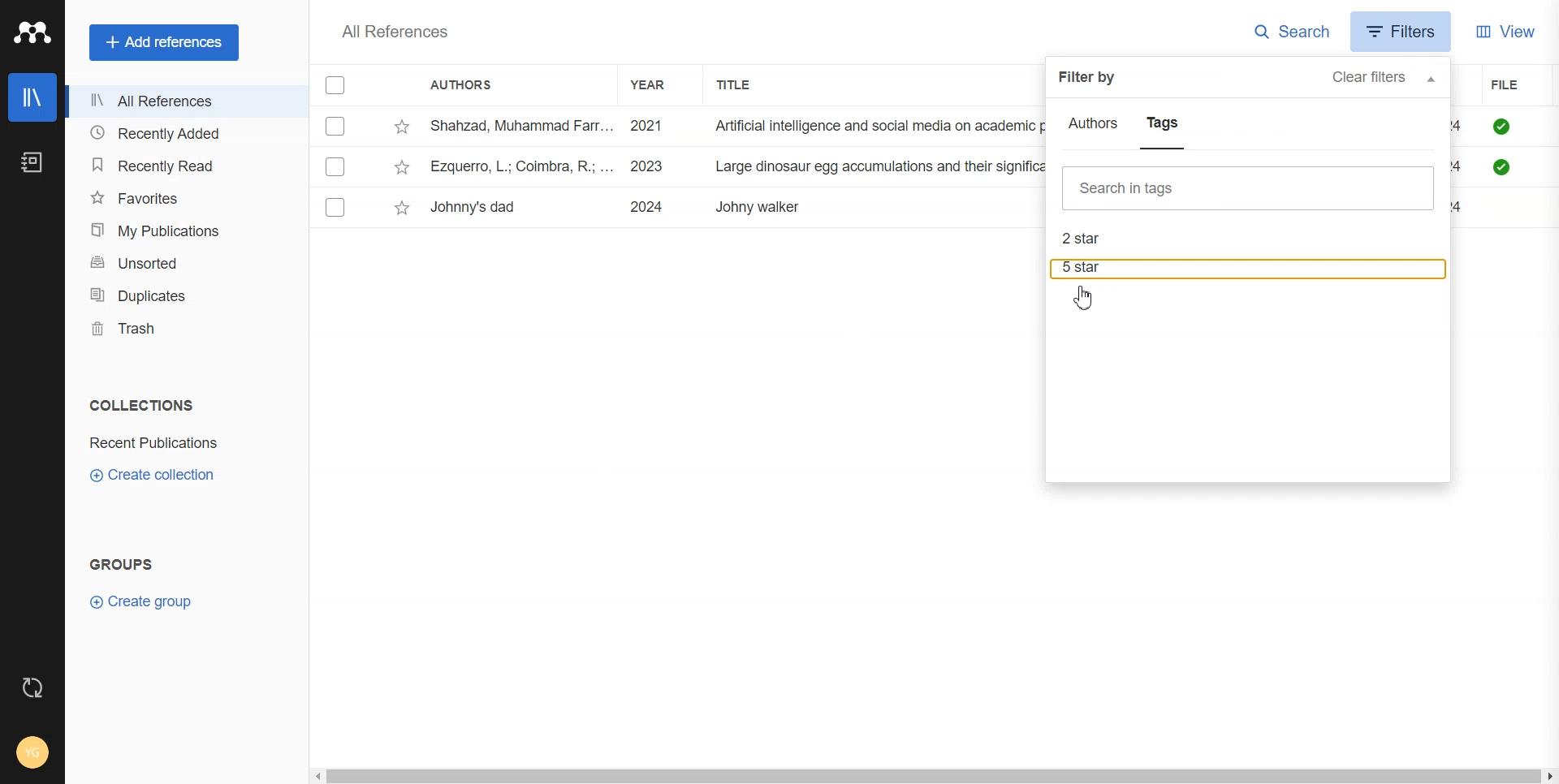  Describe the element at coordinates (402, 209) in the screenshot. I see `star` at that location.